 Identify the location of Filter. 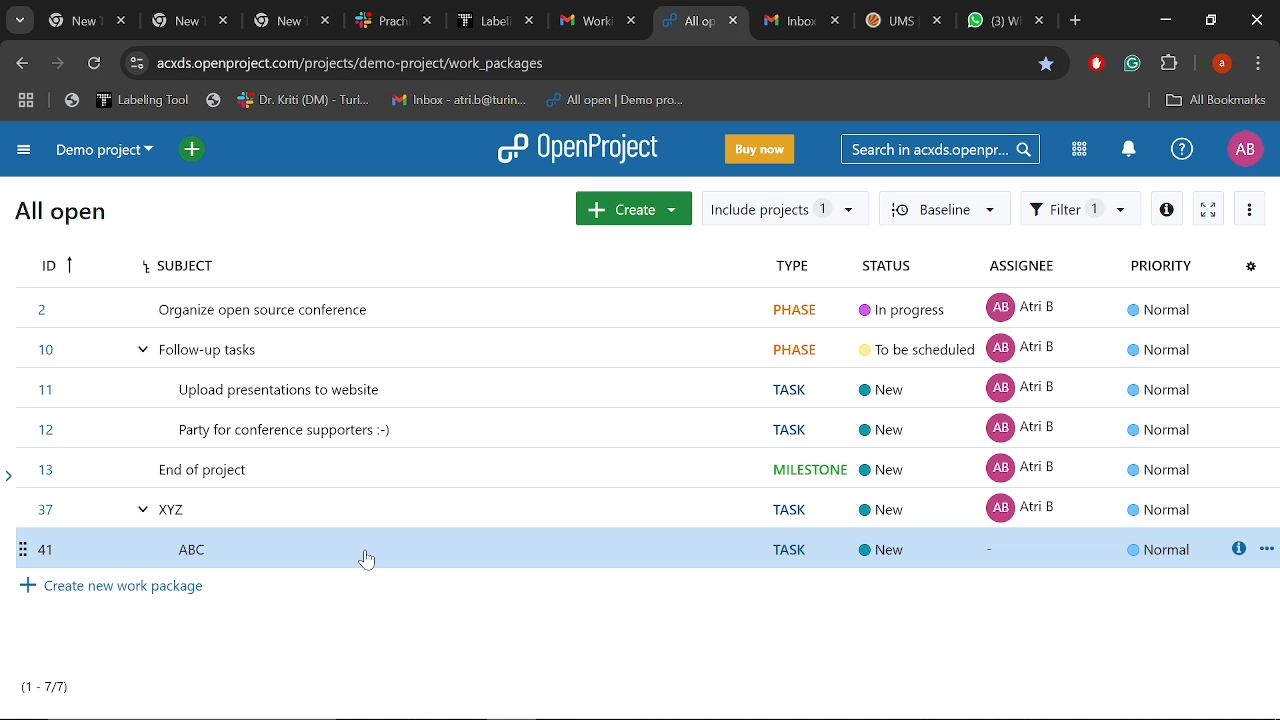
(1080, 210).